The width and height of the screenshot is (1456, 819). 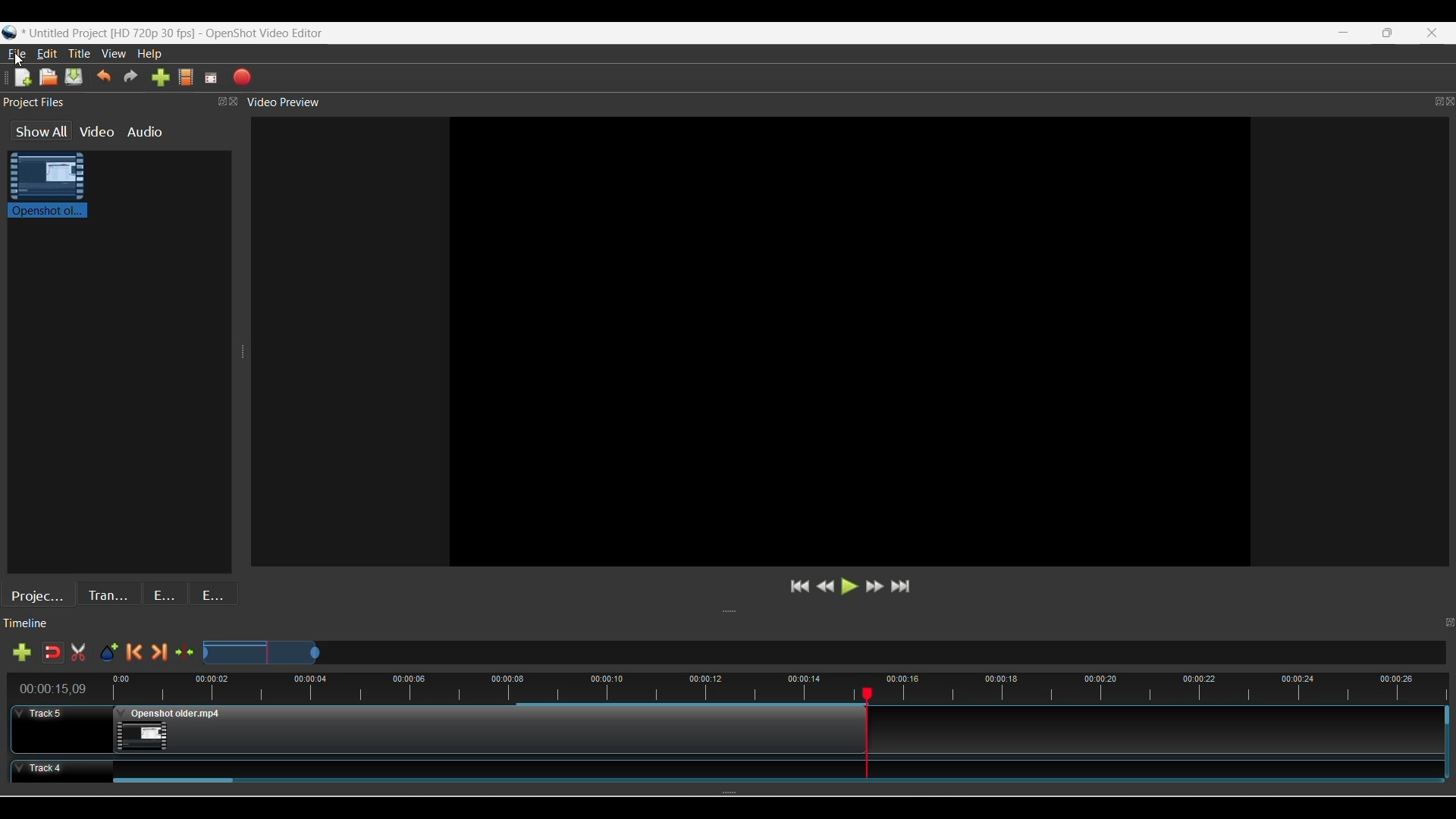 I want to click on Choose profile, so click(x=186, y=78).